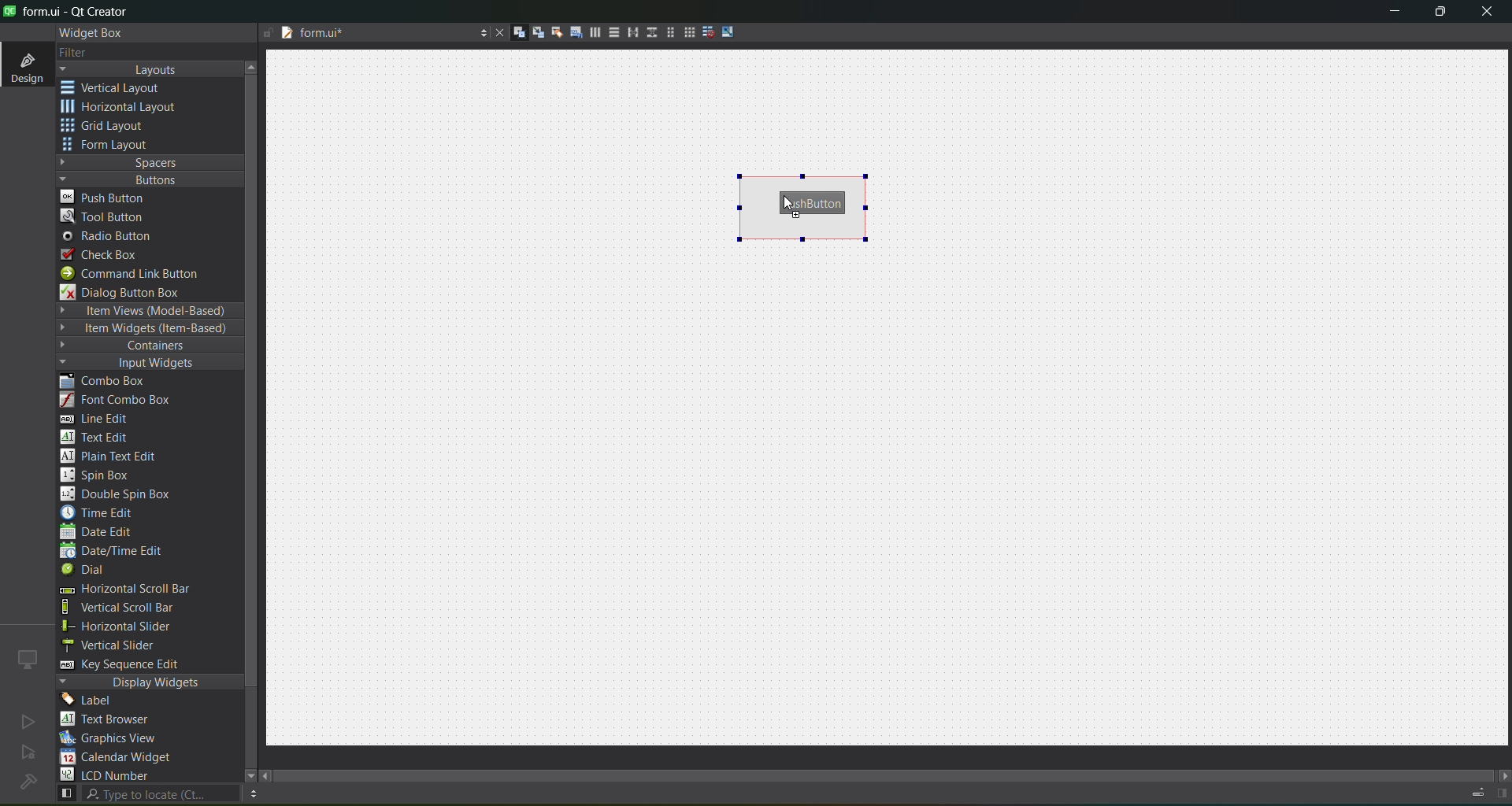  Describe the element at coordinates (105, 196) in the screenshot. I see `push` at that location.